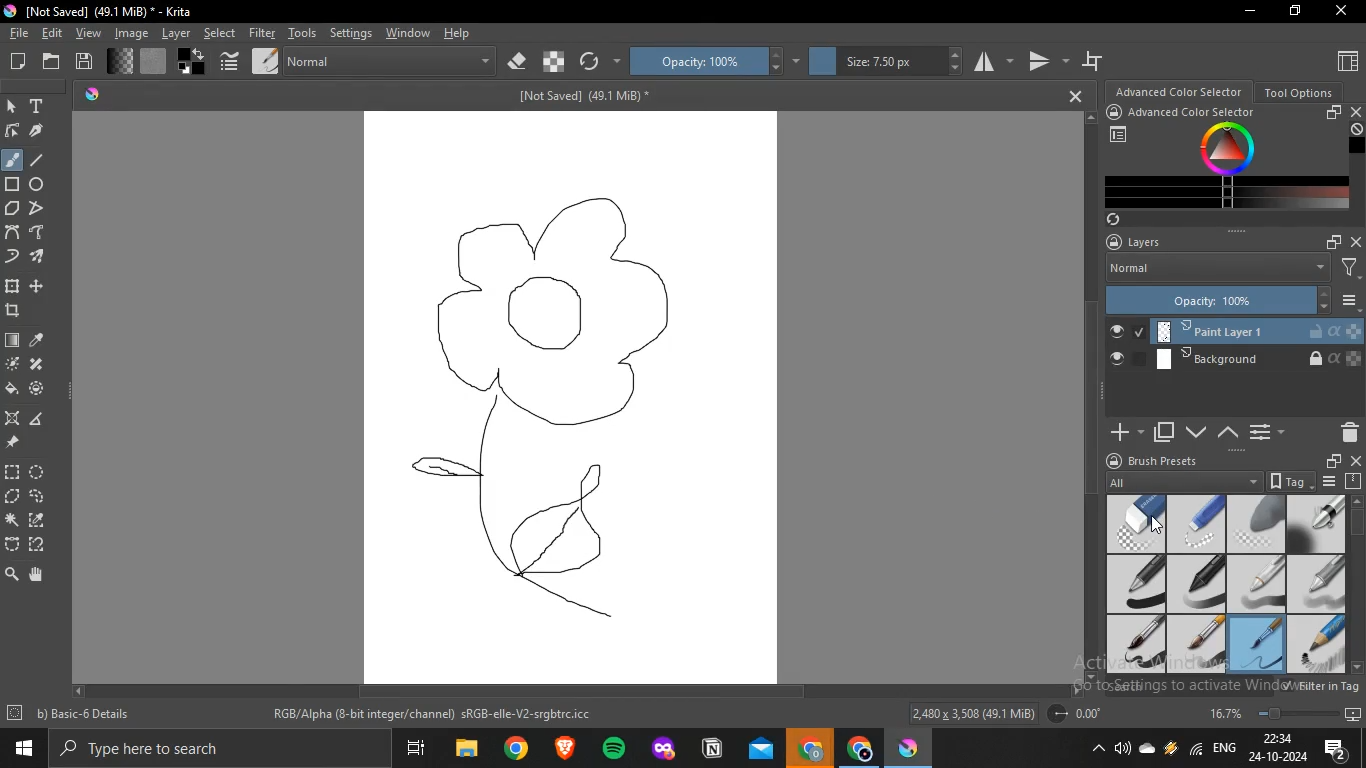 The image size is (1366, 768). What do you see at coordinates (1216, 269) in the screenshot?
I see `Normal` at bounding box center [1216, 269].